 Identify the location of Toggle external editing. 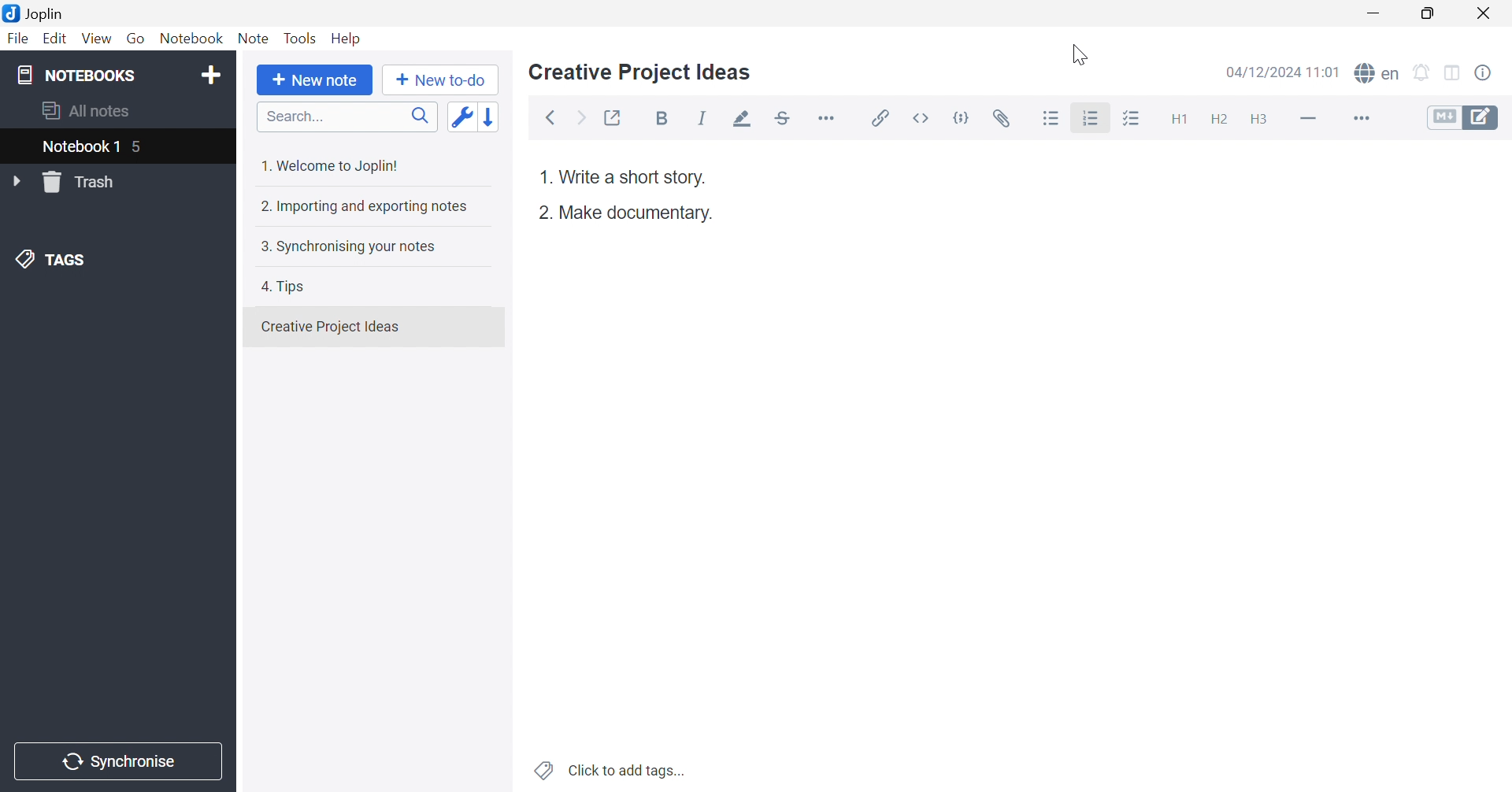
(611, 119).